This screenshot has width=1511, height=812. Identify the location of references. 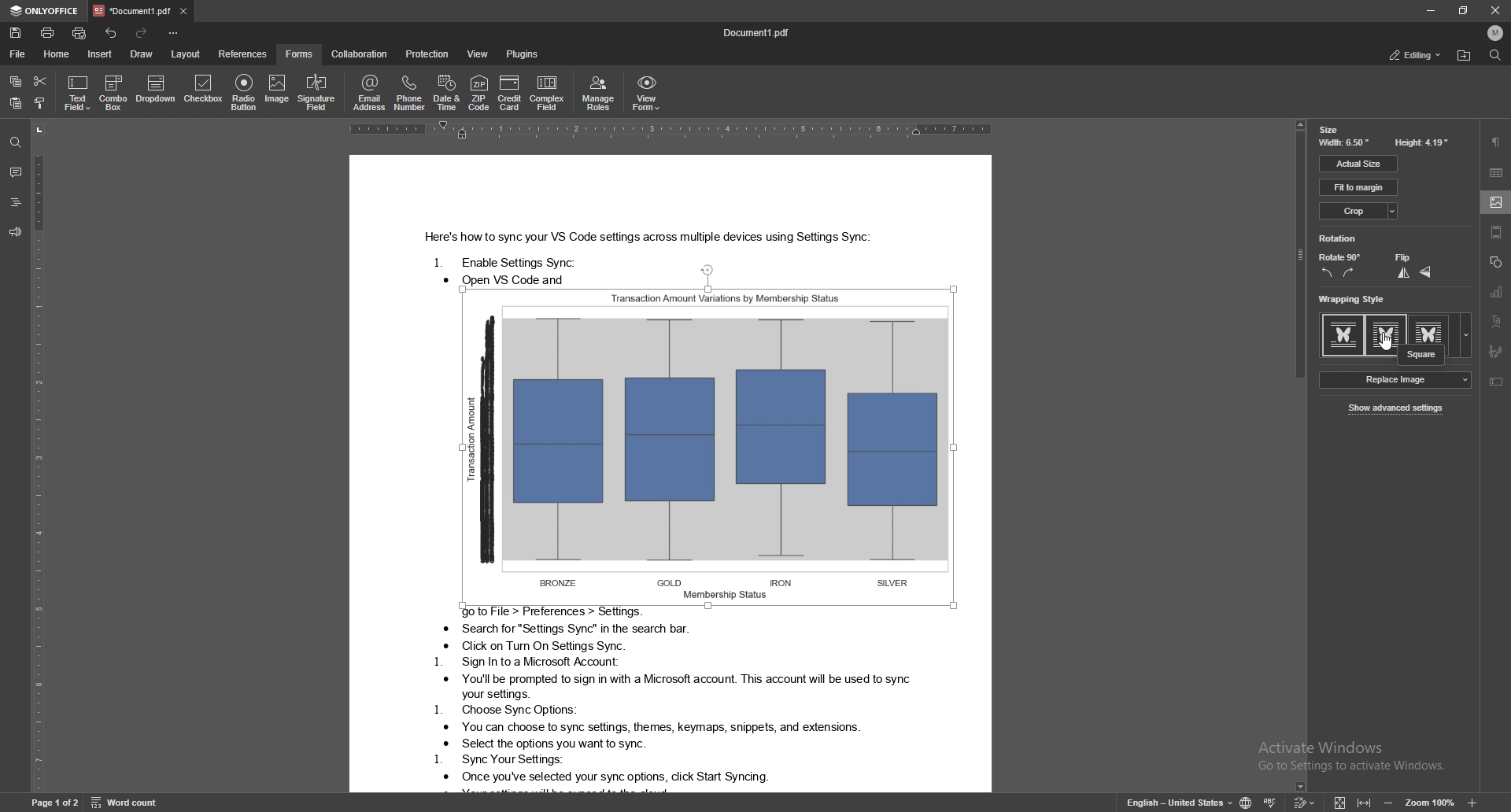
(244, 54).